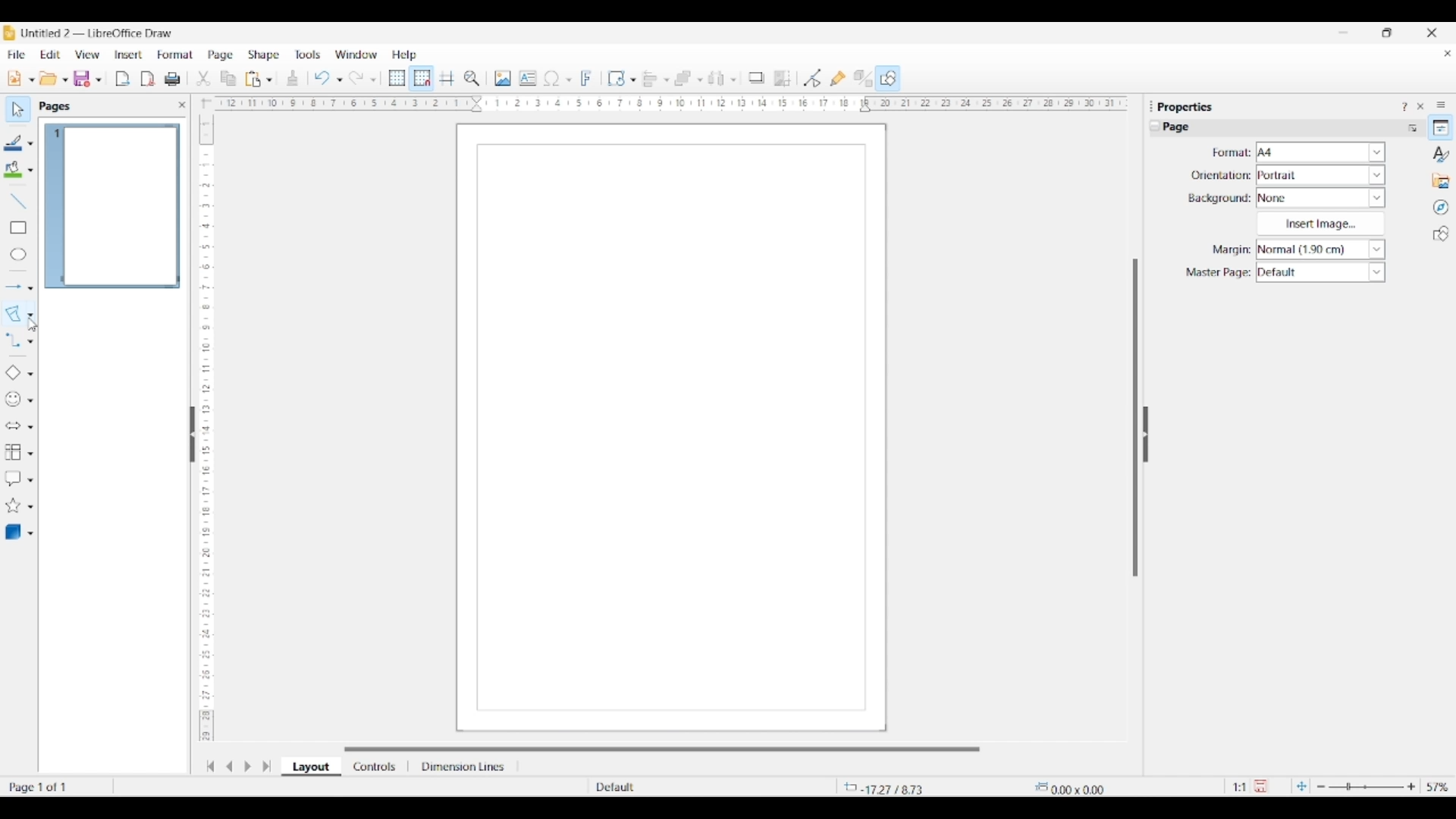 The image size is (1456, 819). Describe the element at coordinates (267, 766) in the screenshot. I see `Jump to the last slide` at that location.